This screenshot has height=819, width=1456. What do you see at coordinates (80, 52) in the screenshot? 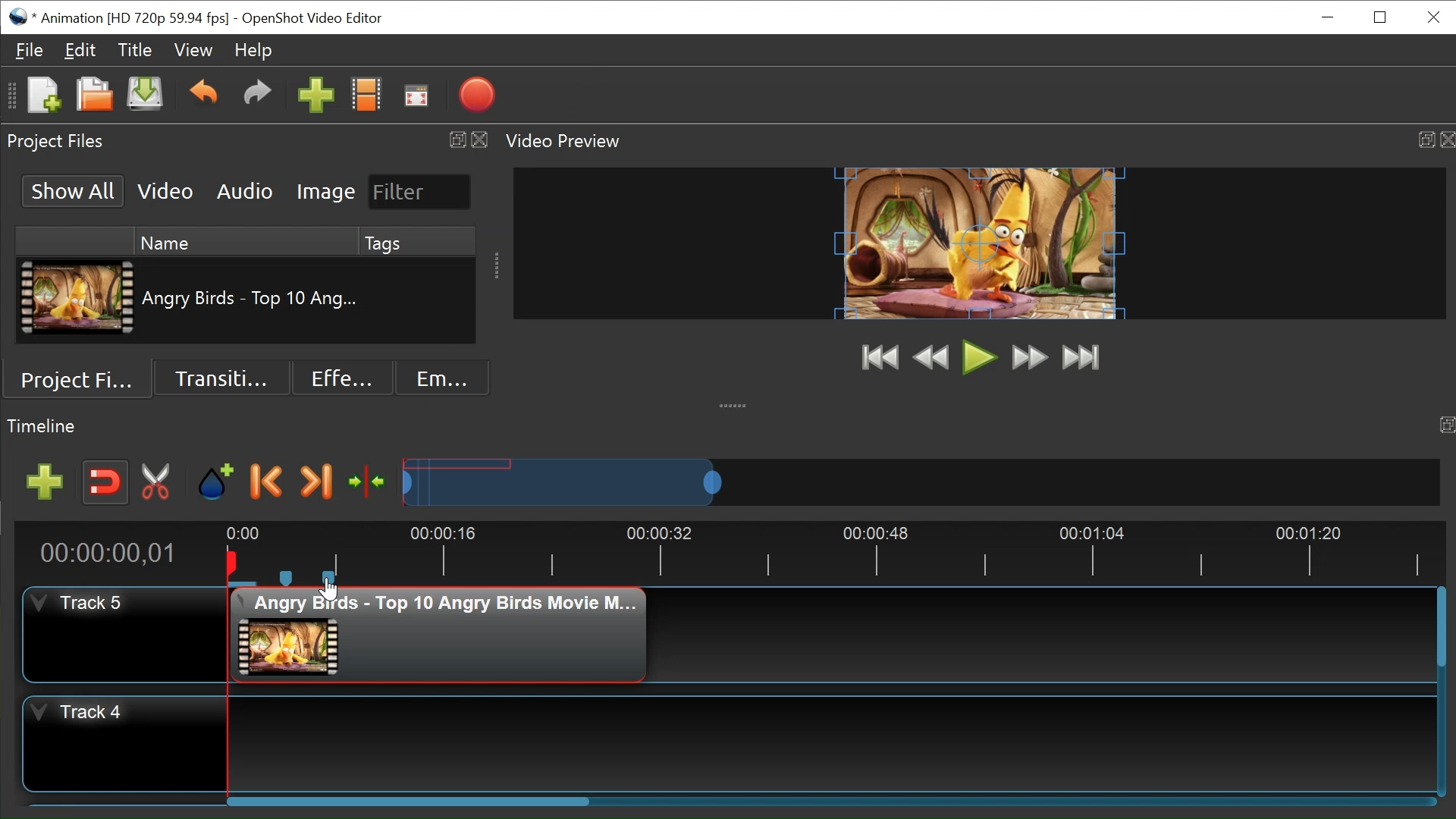
I see `Edit` at bounding box center [80, 52].